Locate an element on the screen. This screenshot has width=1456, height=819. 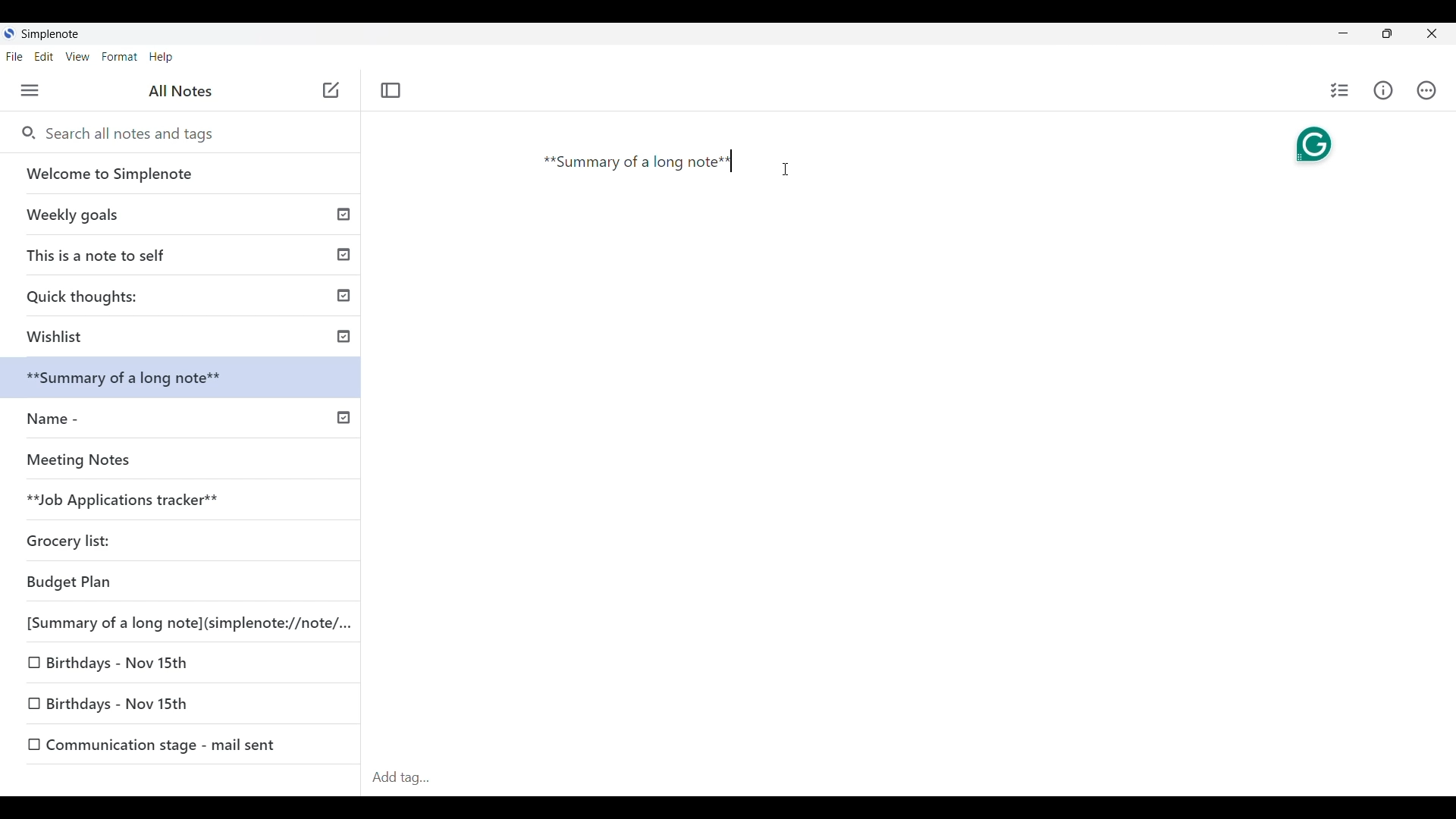
Add note is located at coordinates (329, 91).